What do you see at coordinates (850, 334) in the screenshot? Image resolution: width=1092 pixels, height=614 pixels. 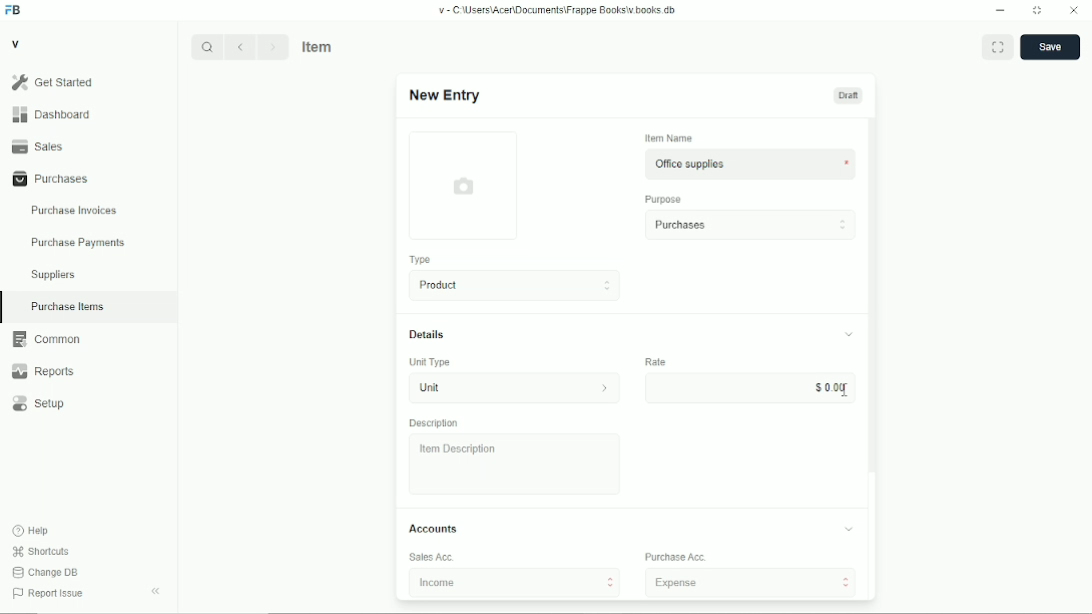 I see `toggle collapse/expand` at bounding box center [850, 334].